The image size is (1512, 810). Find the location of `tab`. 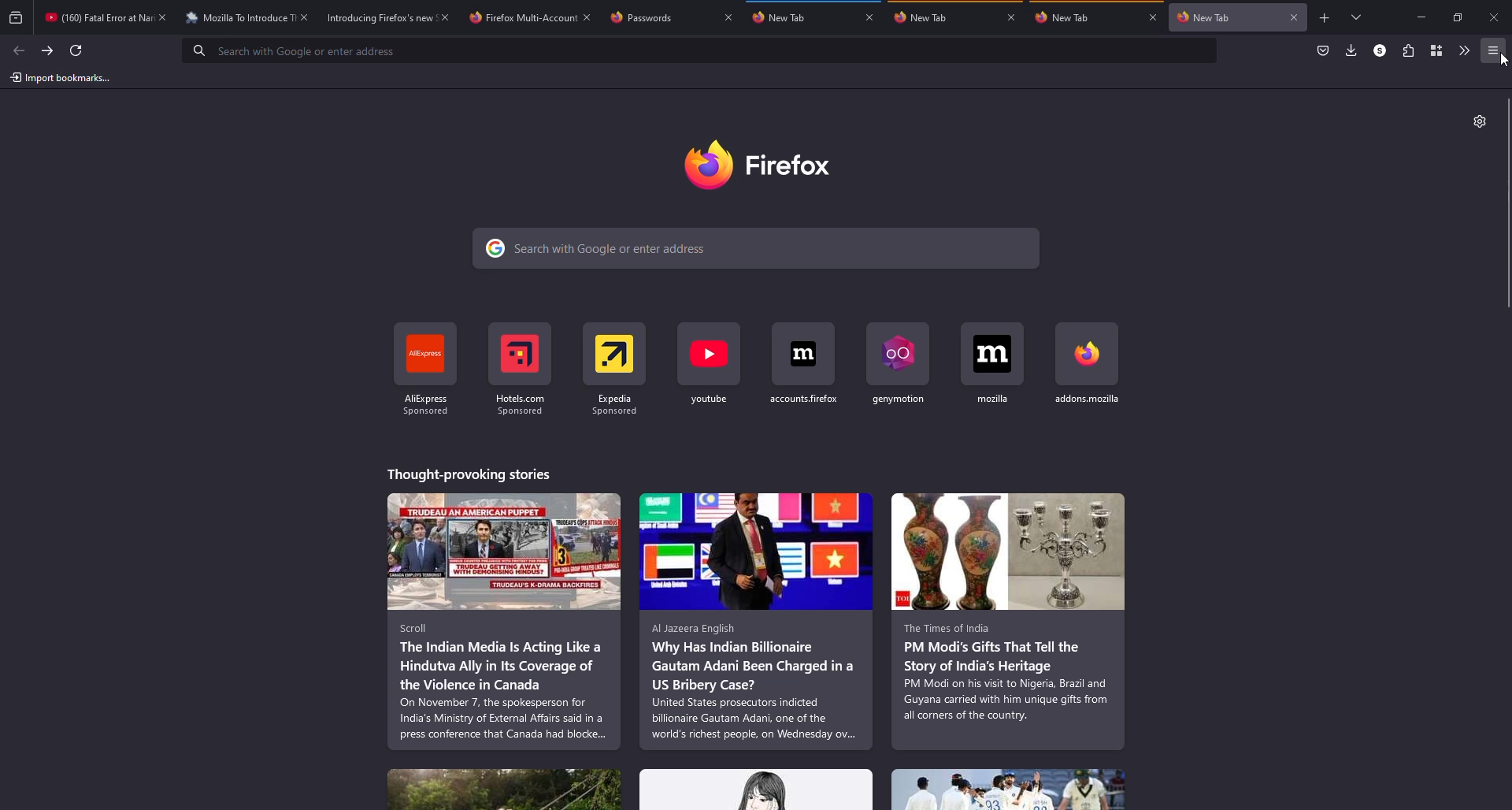

tab is located at coordinates (926, 17).